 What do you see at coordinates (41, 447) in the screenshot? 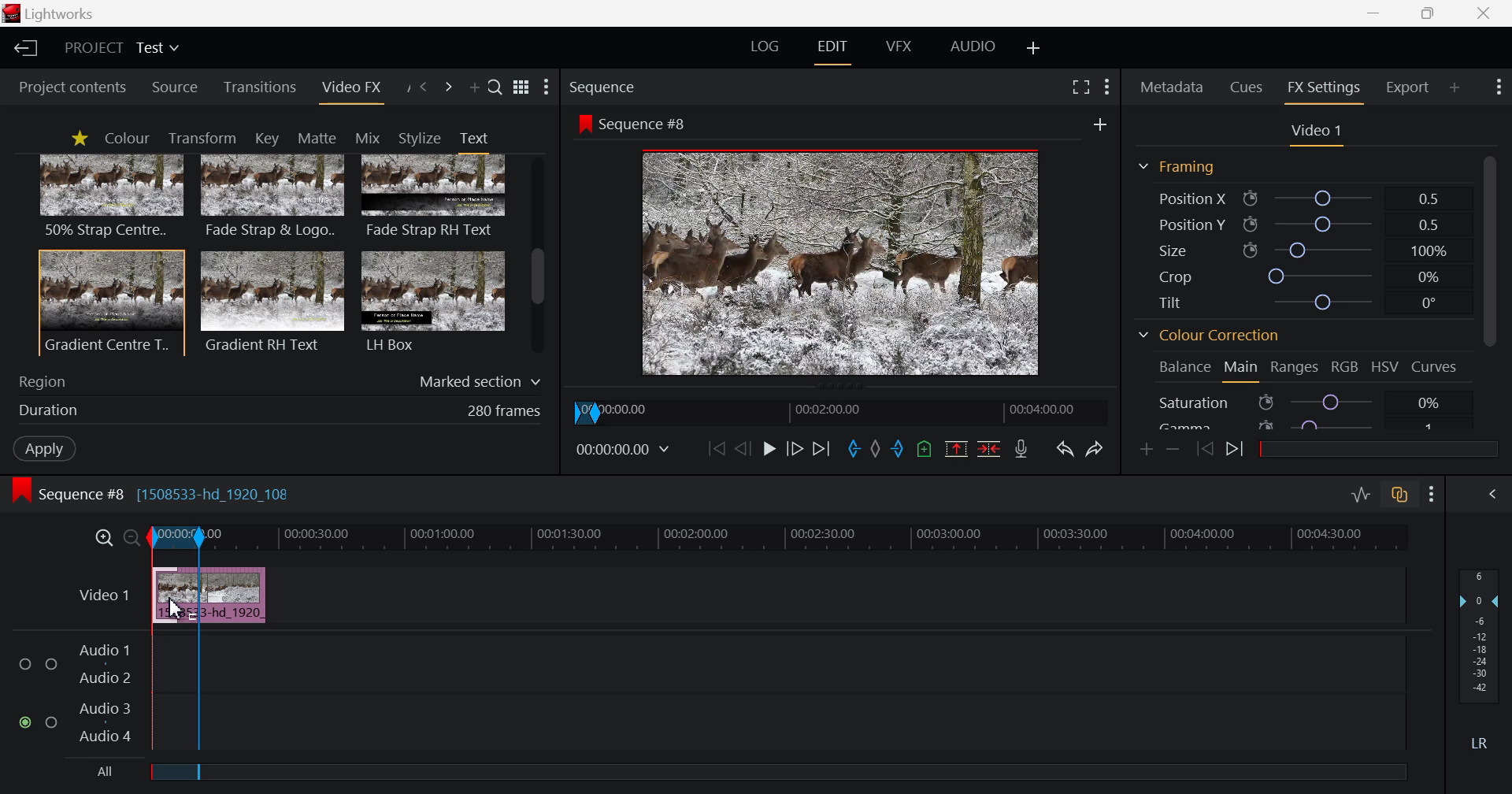
I see `Apply` at bounding box center [41, 447].